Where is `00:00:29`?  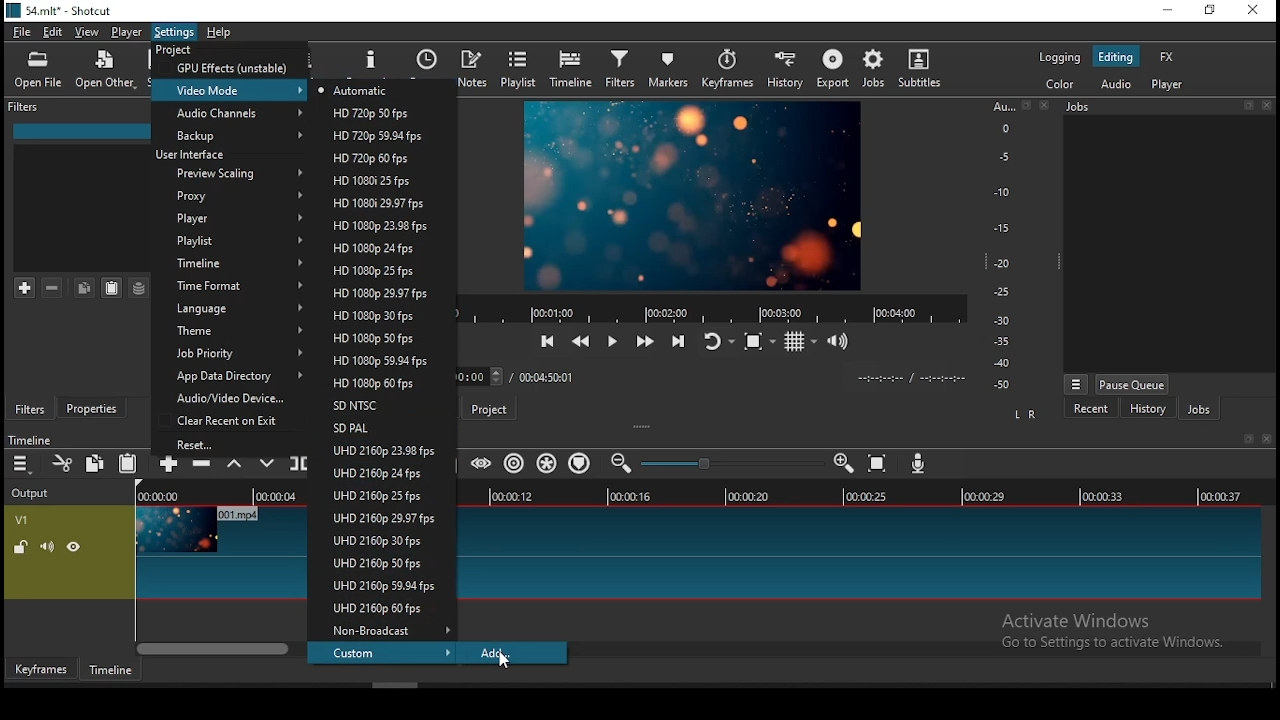 00:00:29 is located at coordinates (987, 496).